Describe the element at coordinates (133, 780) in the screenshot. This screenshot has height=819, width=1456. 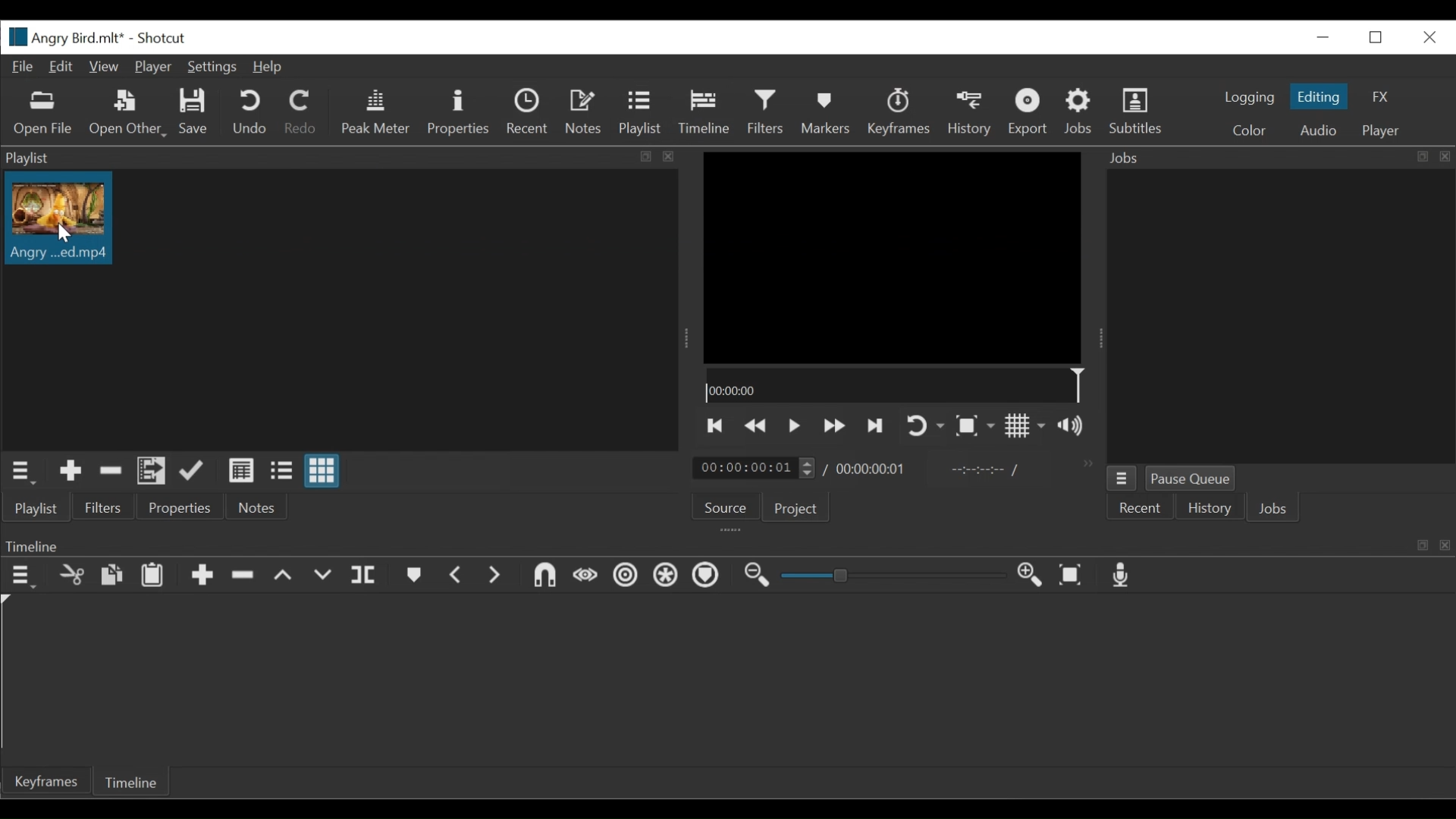
I see `Timeline` at that location.